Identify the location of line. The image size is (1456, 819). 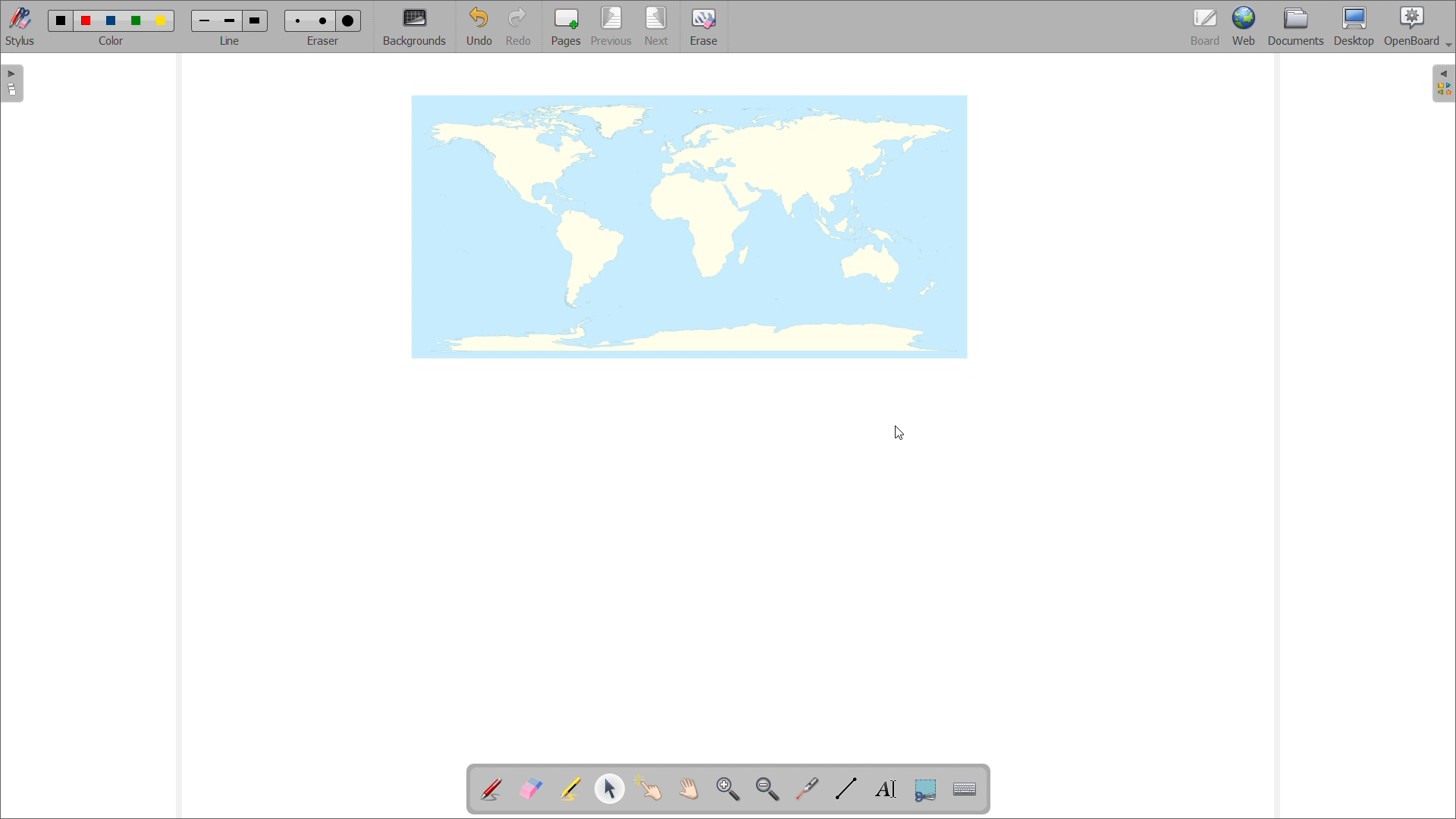
(230, 42).